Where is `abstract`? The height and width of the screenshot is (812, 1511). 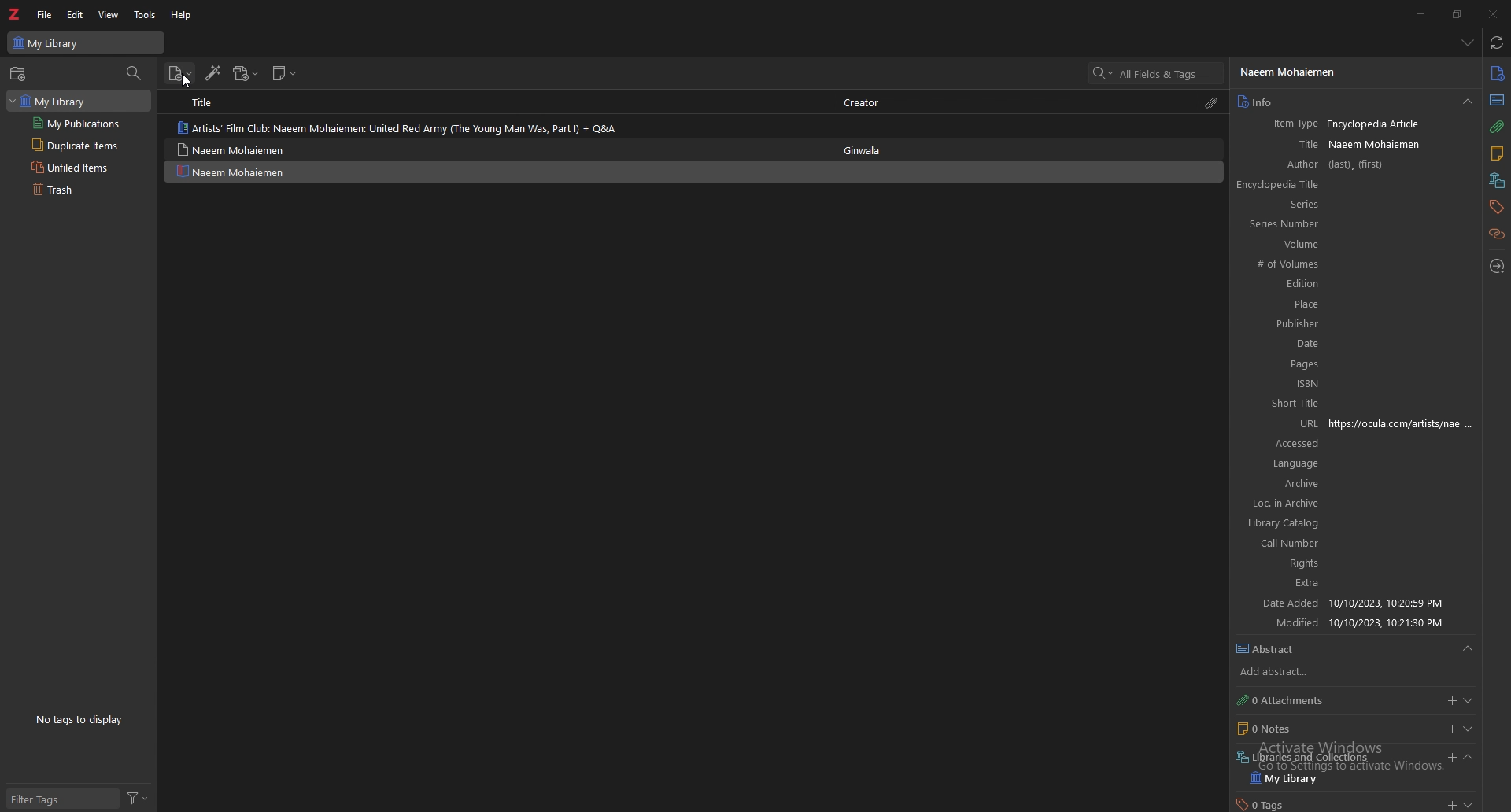 abstract is located at coordinates (1357, 649).